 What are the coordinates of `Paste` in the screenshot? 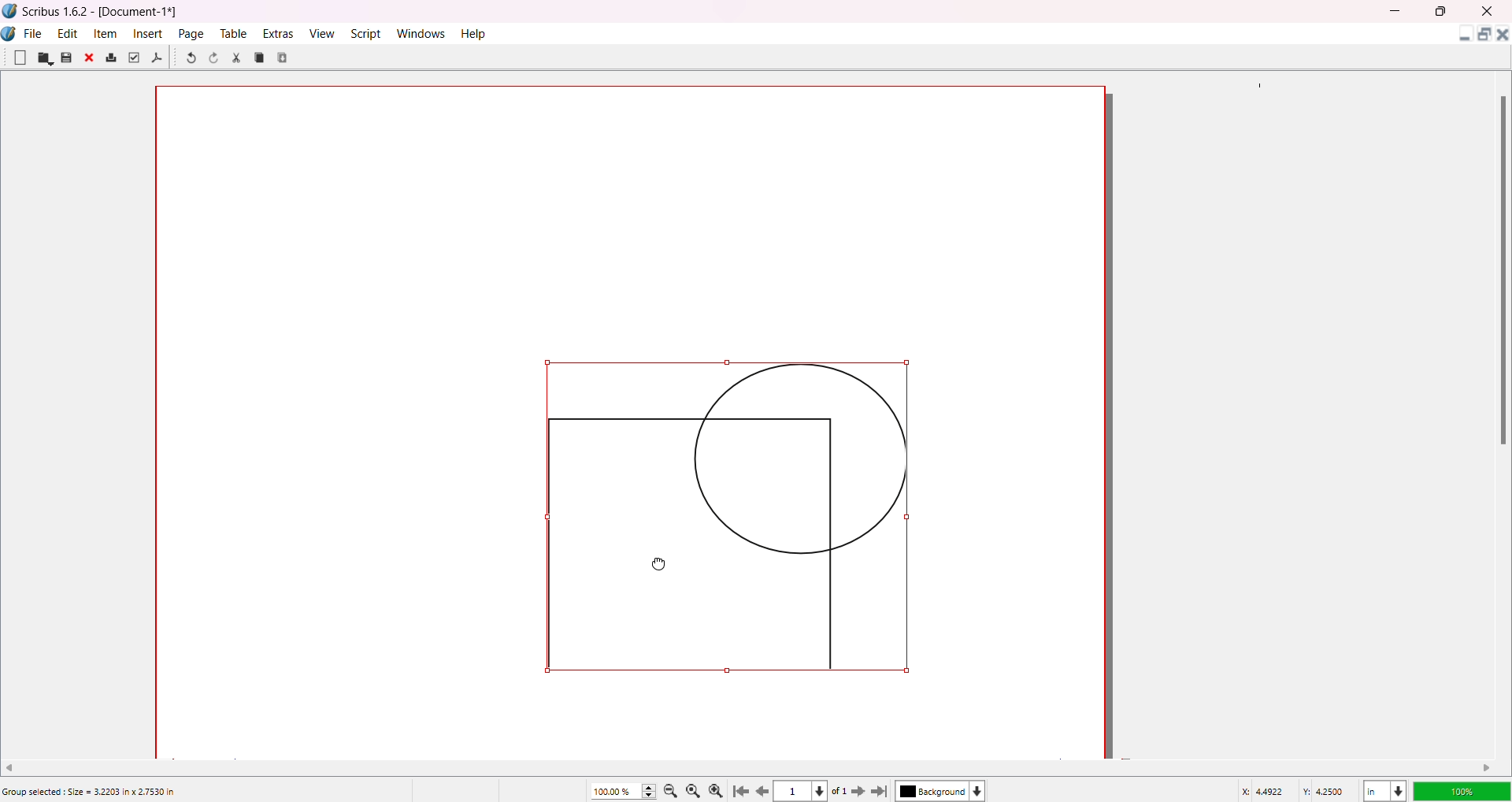 It's located at (284, 57).